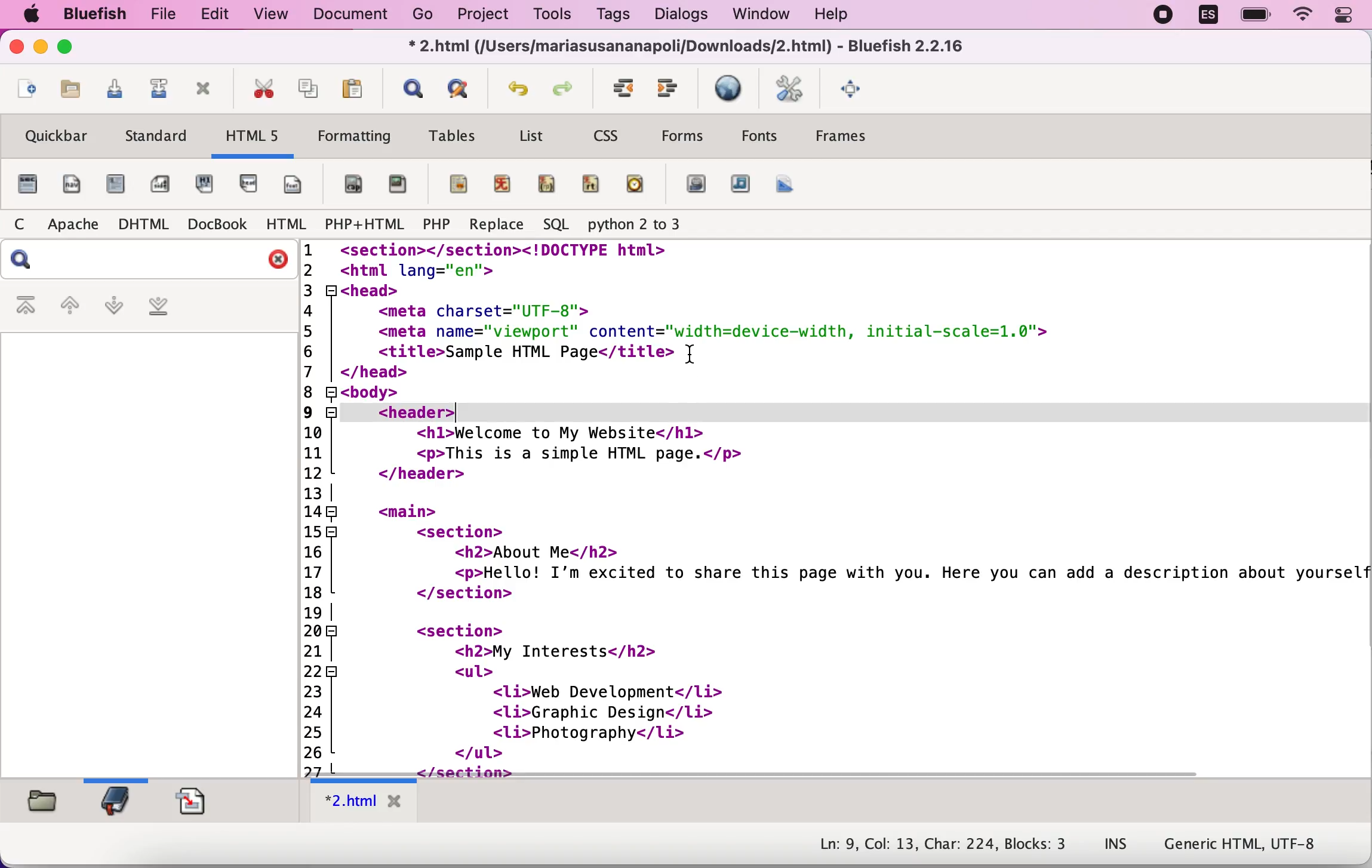 This screenshot has height=868, width=1372. What do you see at coordinates (147, 260) in the screenshot?
I see `search` at bounding box center [147, 260].